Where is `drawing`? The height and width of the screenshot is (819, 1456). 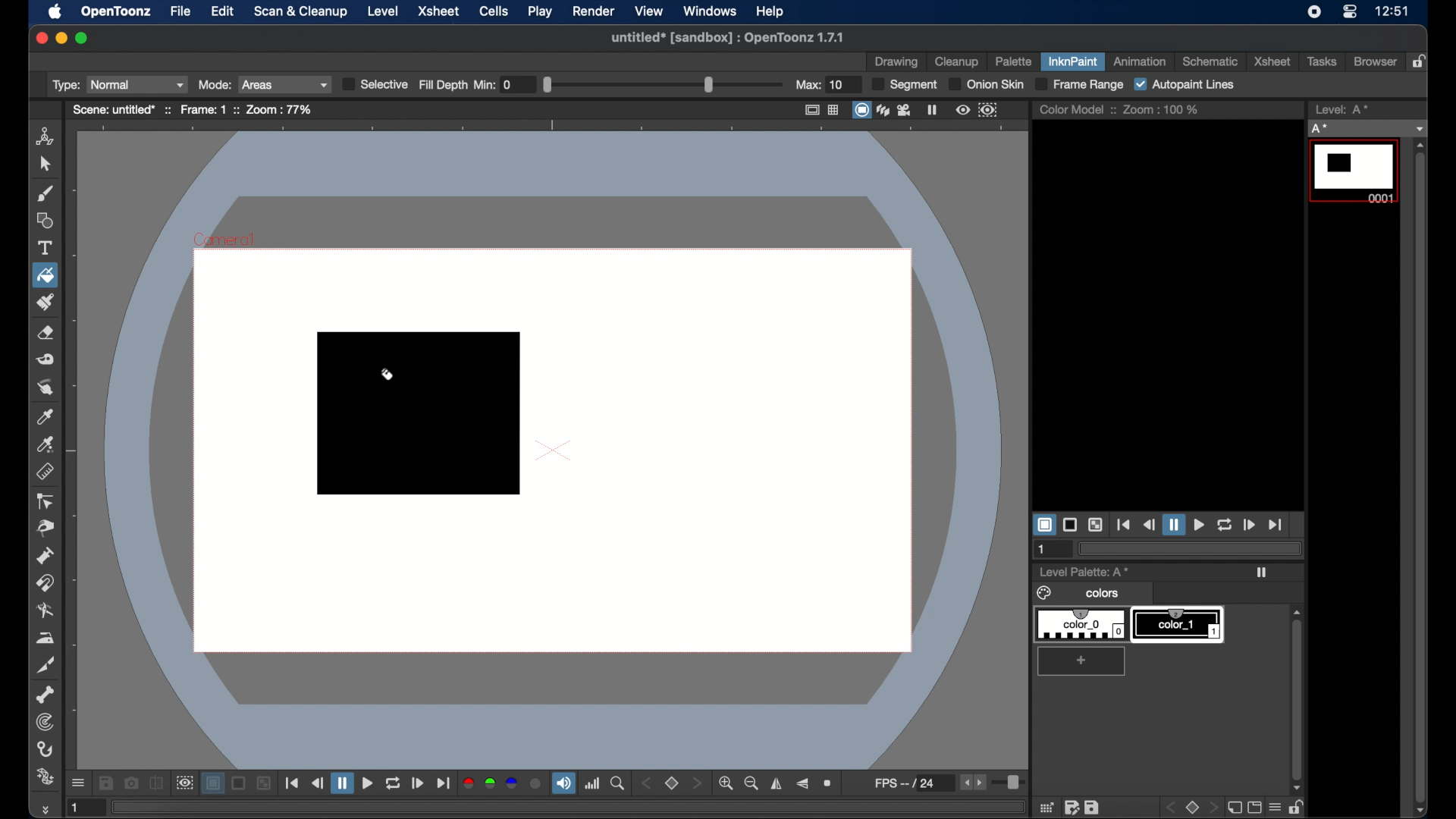
drawing is located at coordinates (896, 63).